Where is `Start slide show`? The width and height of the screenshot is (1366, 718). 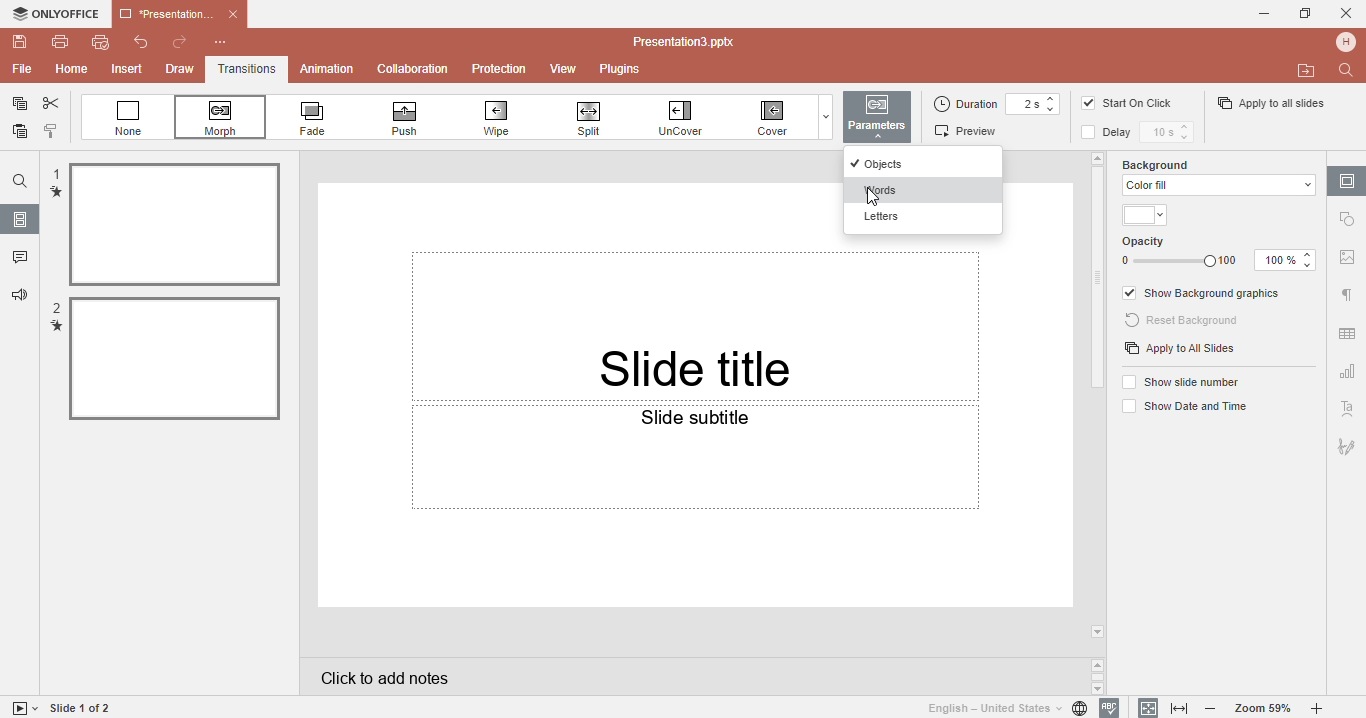 Start slide show is located at coordinates (21, 708).